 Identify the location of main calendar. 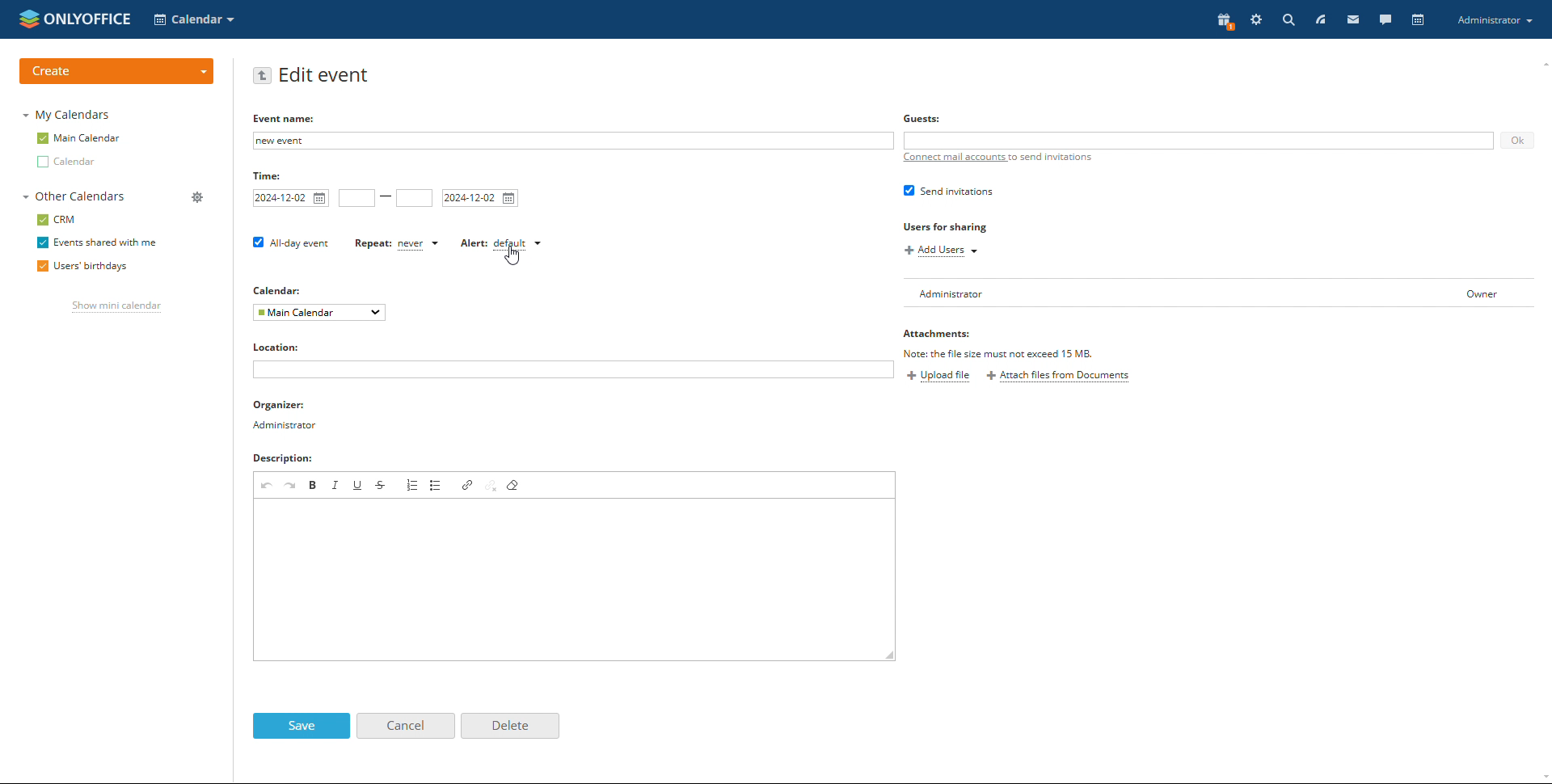
(78, 138).